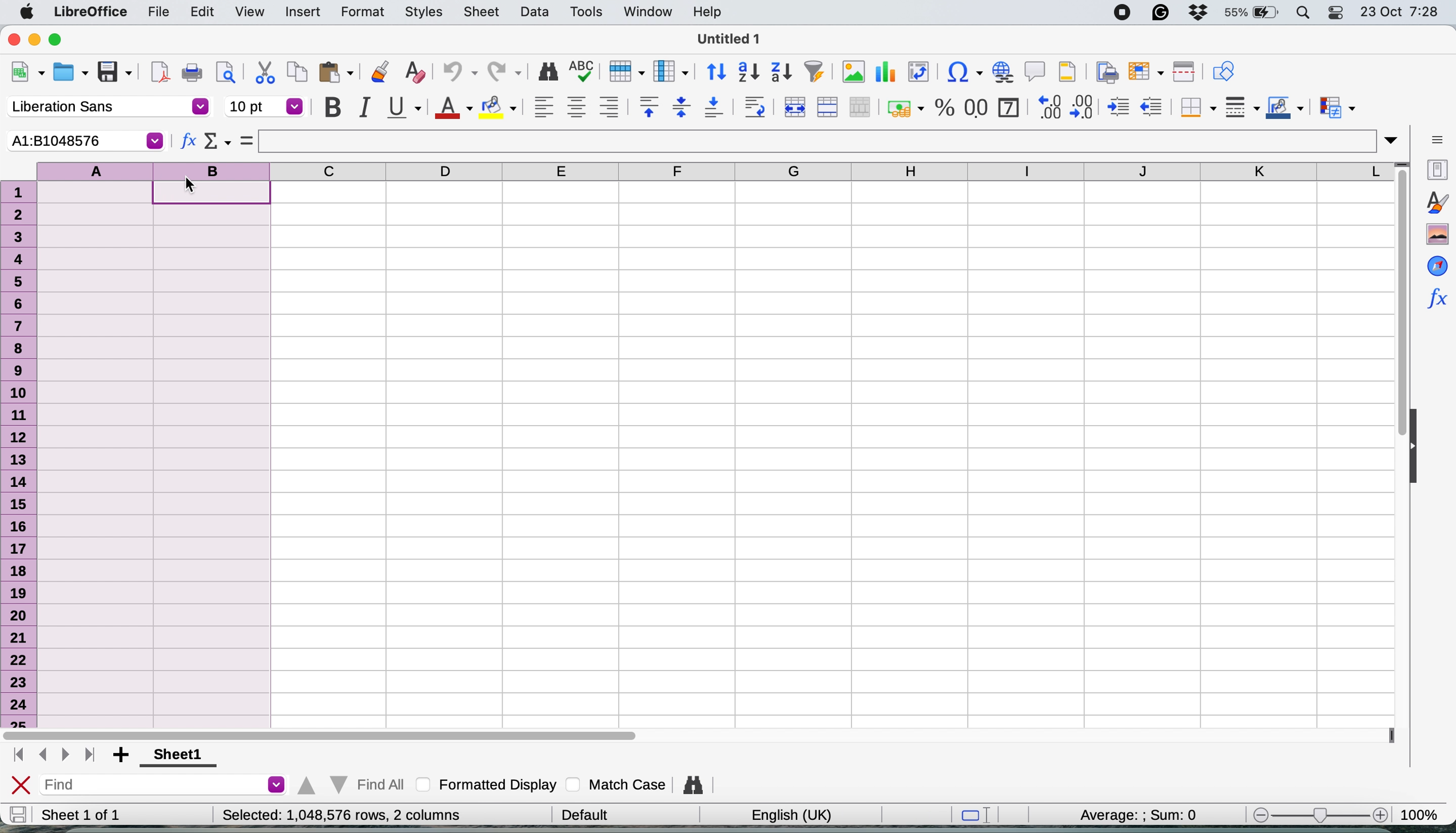 The height and width of the screenshot is (833, 1456). What do you see at coordinates (37, 41) in the screenshot?
I see `minimise` at bounding box center [37, 41].